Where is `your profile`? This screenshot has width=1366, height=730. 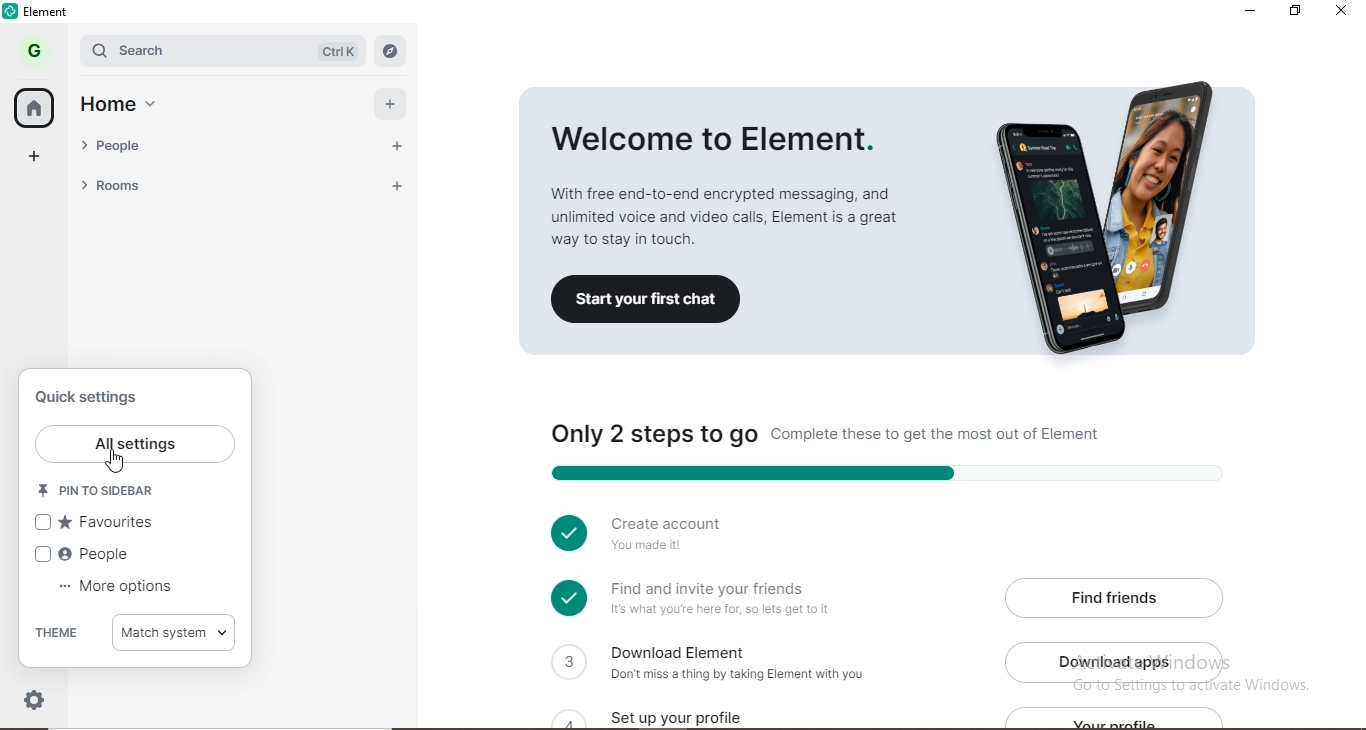 your profile is located at coordinates (1122, 719).